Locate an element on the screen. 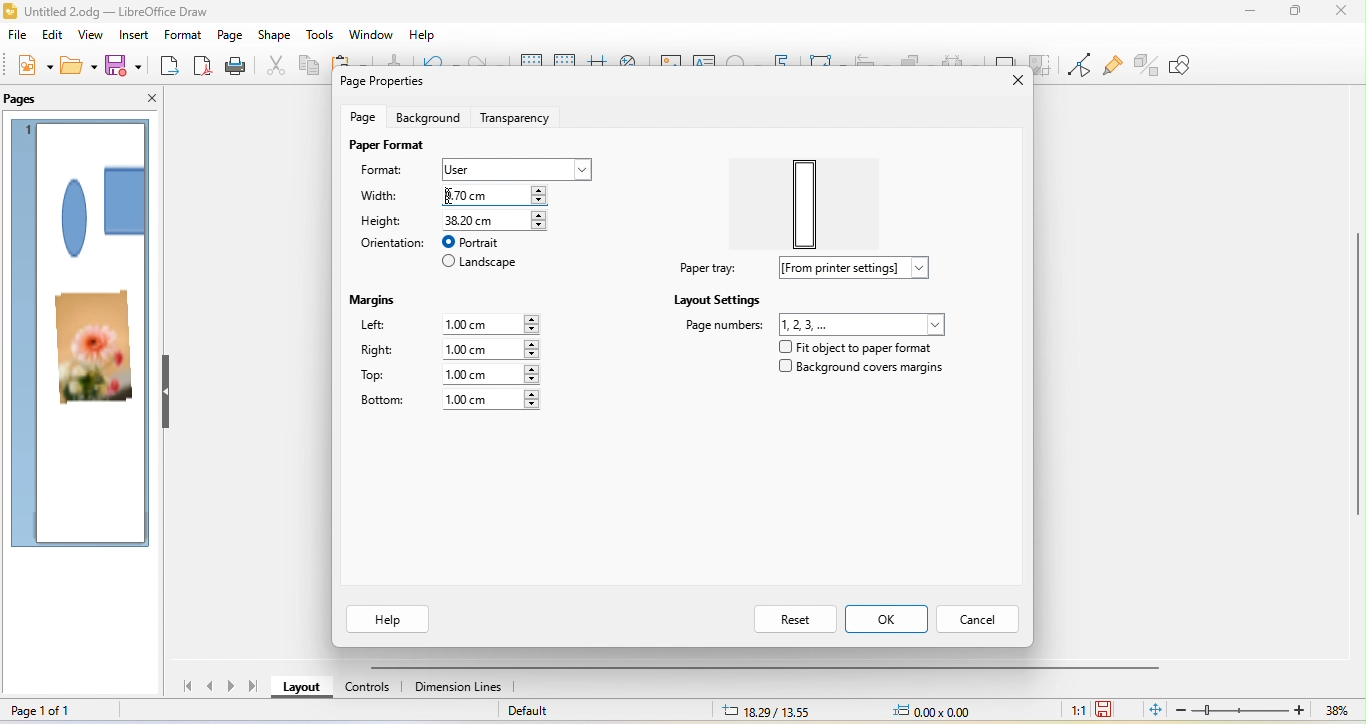 The height and width of the screenshot is (724, 1366). 0.00x0.00 is located at coordinates (946, 712).